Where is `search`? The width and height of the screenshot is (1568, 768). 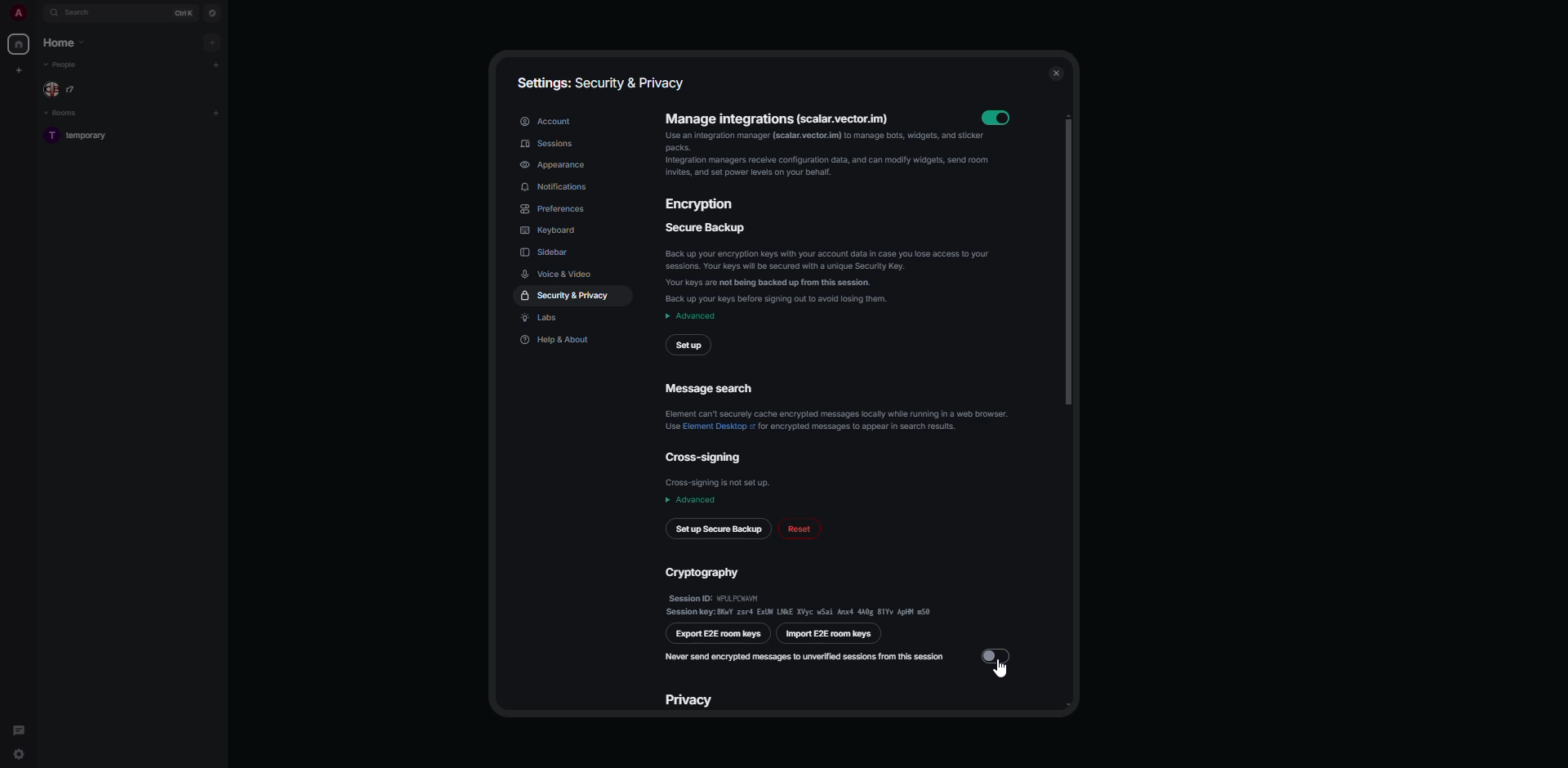 search is located at coordinates (82, 13).